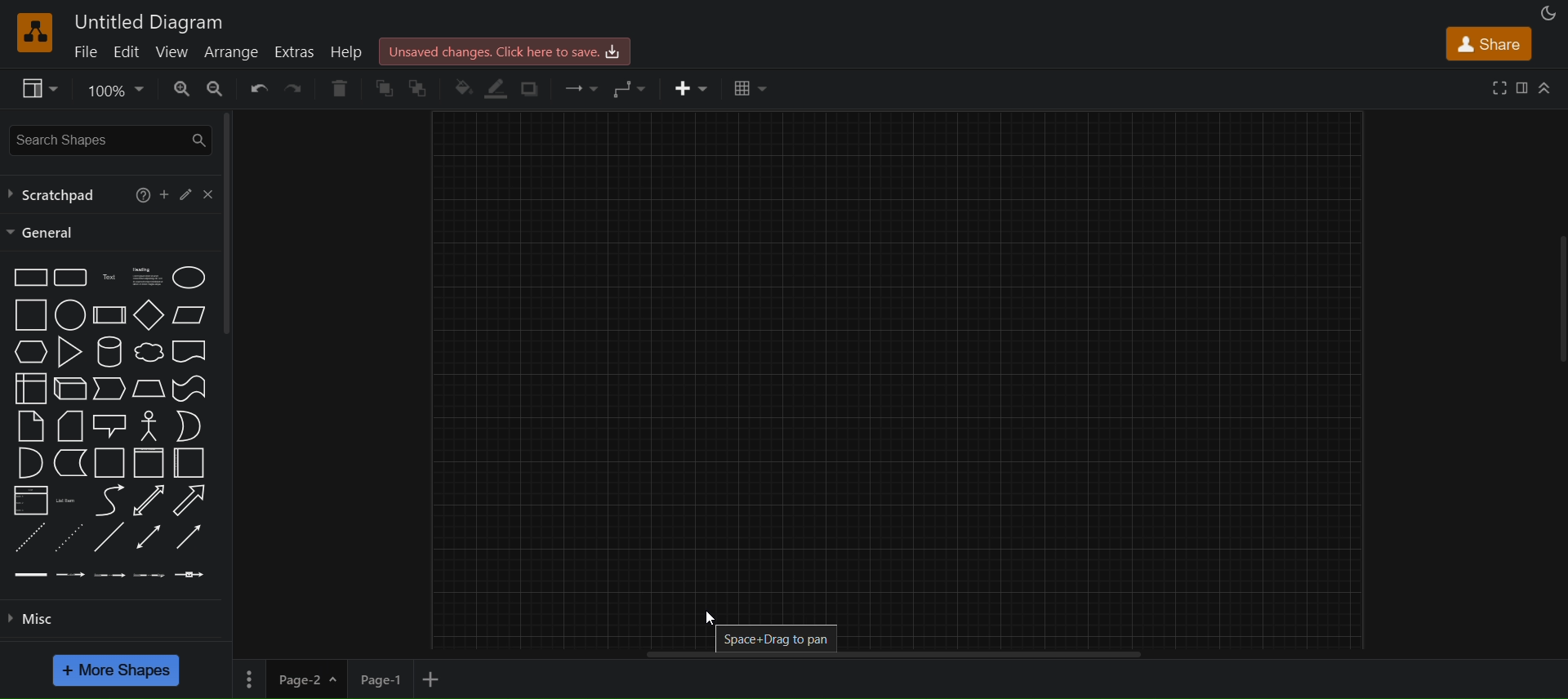 This screenshot has height=699, width=1568. Describe the element at coordinates (781, 639) in the screenshot. I see `space+drag to pan` at that location.